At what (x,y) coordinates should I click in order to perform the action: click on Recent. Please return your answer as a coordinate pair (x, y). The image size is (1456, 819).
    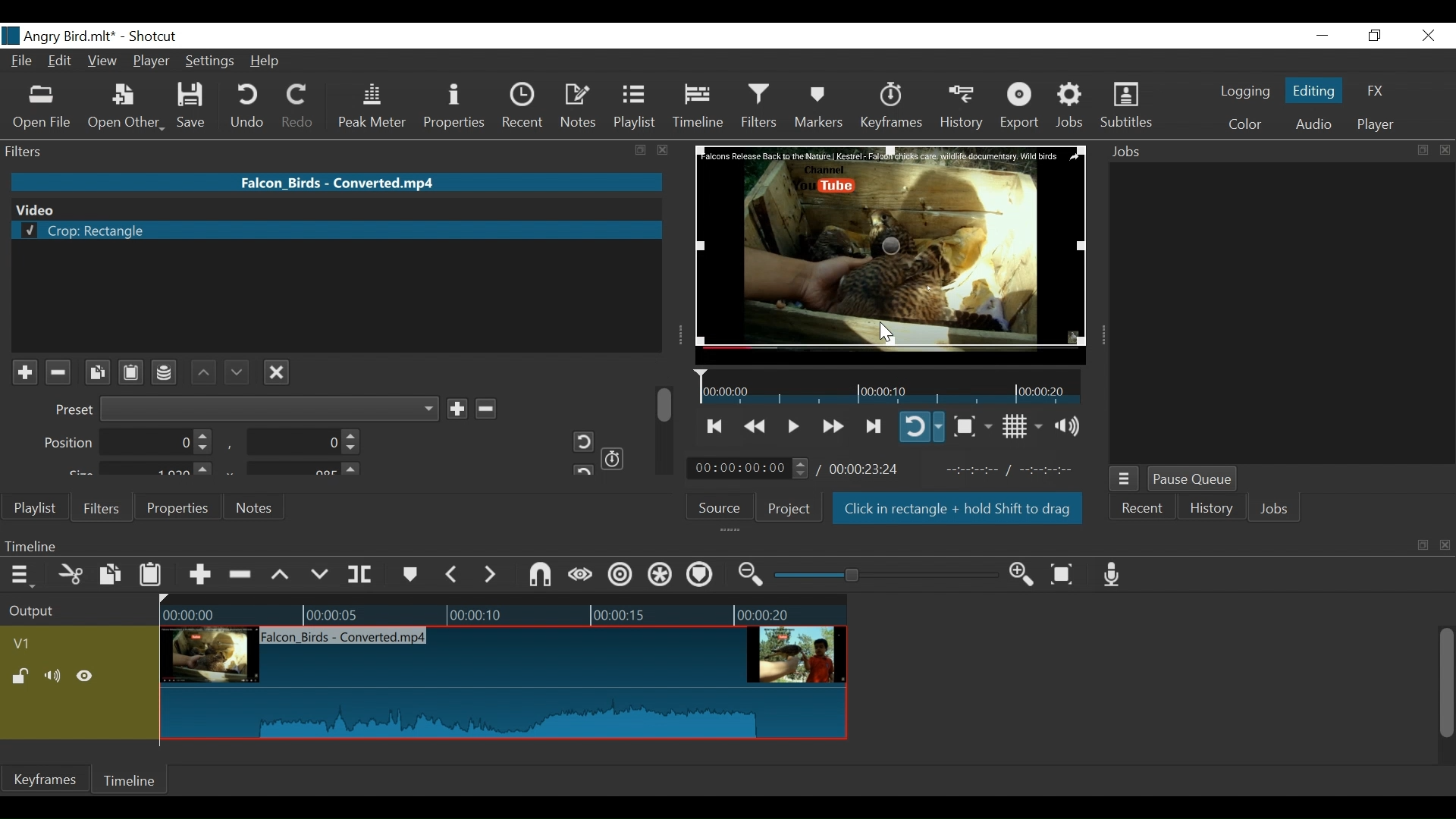
    Looking at the image, I should click on (526, 106).